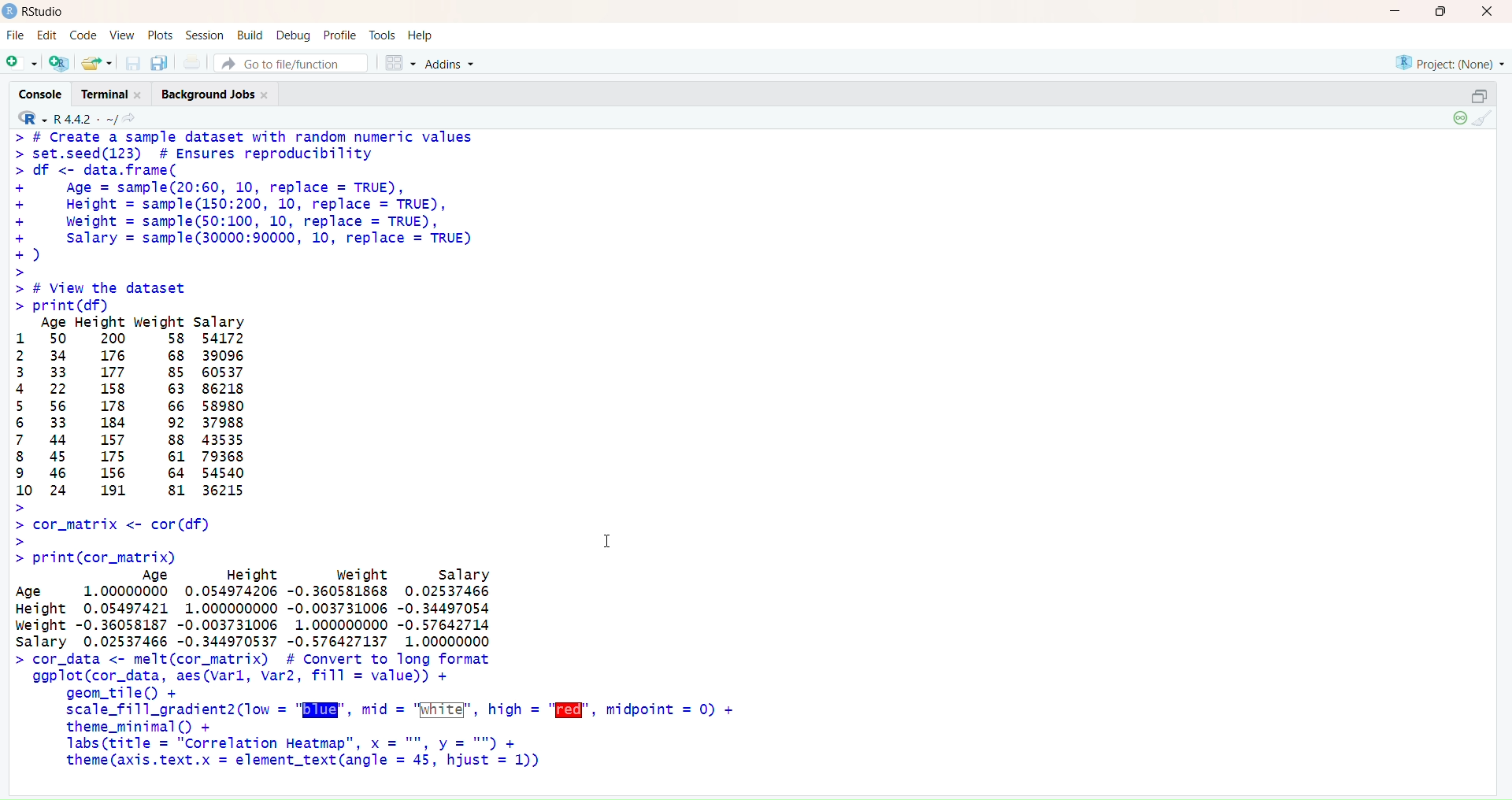  Describe the element at coordinates (28, 117) in the screenshot. I see `RStudio logo` at that location.